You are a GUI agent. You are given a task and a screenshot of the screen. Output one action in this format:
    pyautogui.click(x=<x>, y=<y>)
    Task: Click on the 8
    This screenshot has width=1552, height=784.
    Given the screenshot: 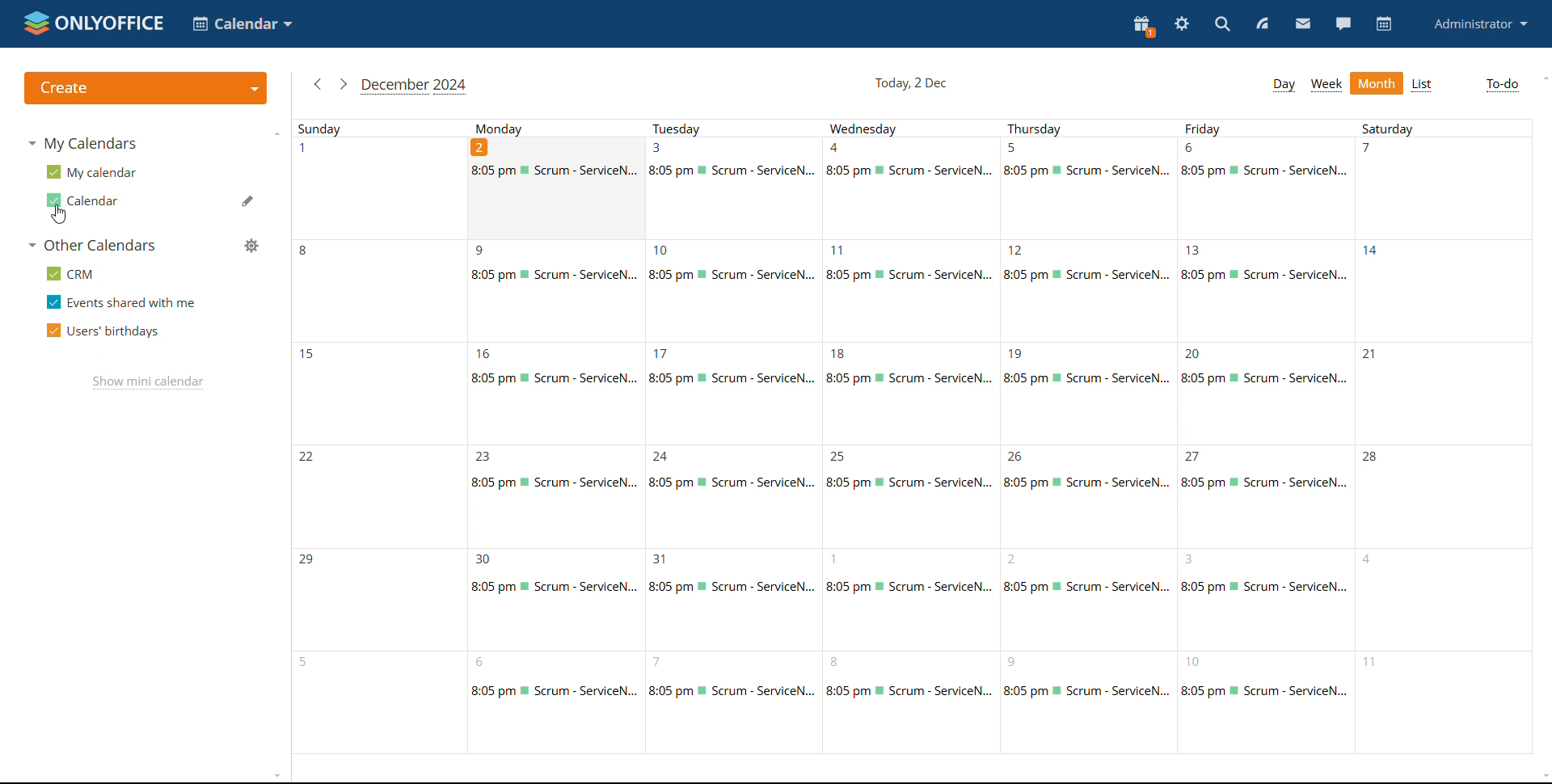 What is the action you would take?
    pyautogui.click(x=912, y=703)
    